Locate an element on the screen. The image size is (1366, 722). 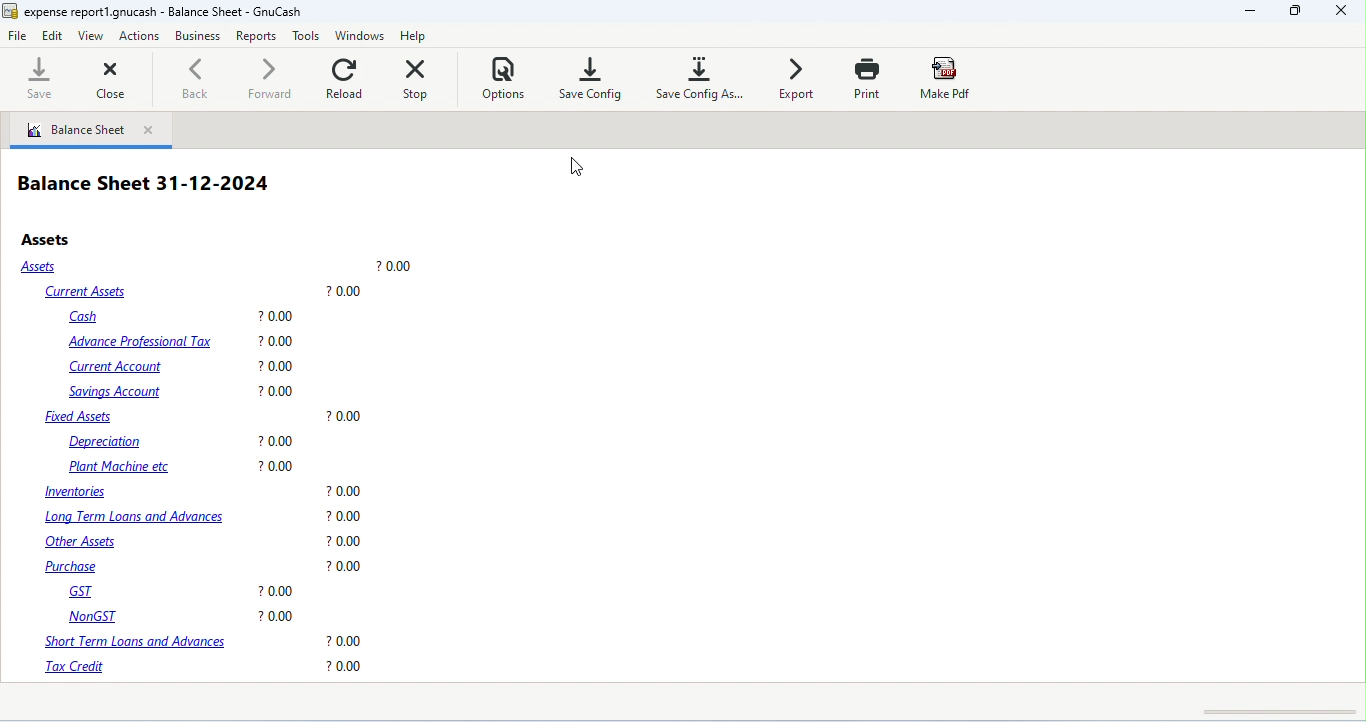
windows is located at coordinates (360, 35).